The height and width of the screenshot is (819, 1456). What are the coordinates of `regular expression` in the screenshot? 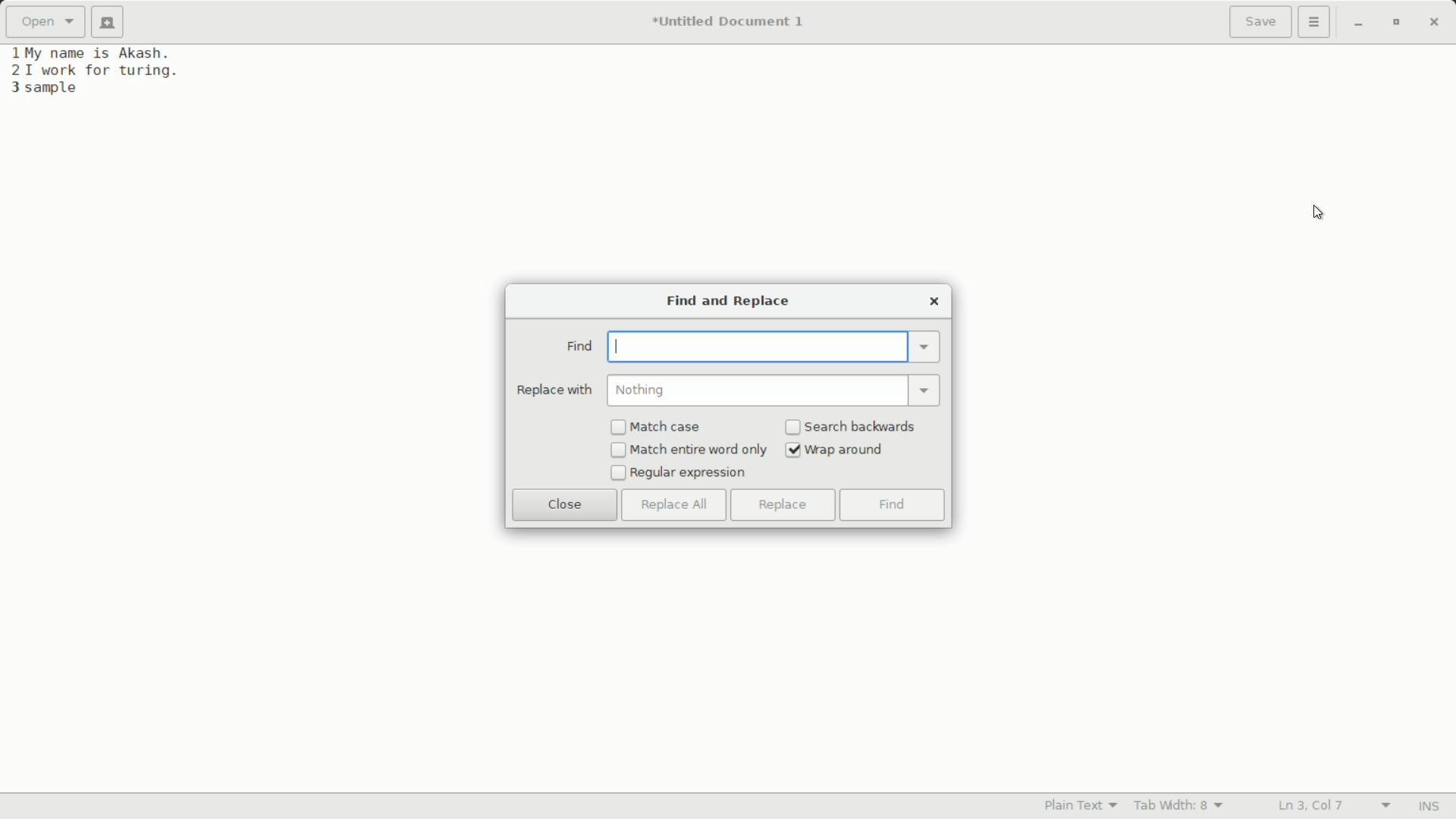 It's located at (689, 473).